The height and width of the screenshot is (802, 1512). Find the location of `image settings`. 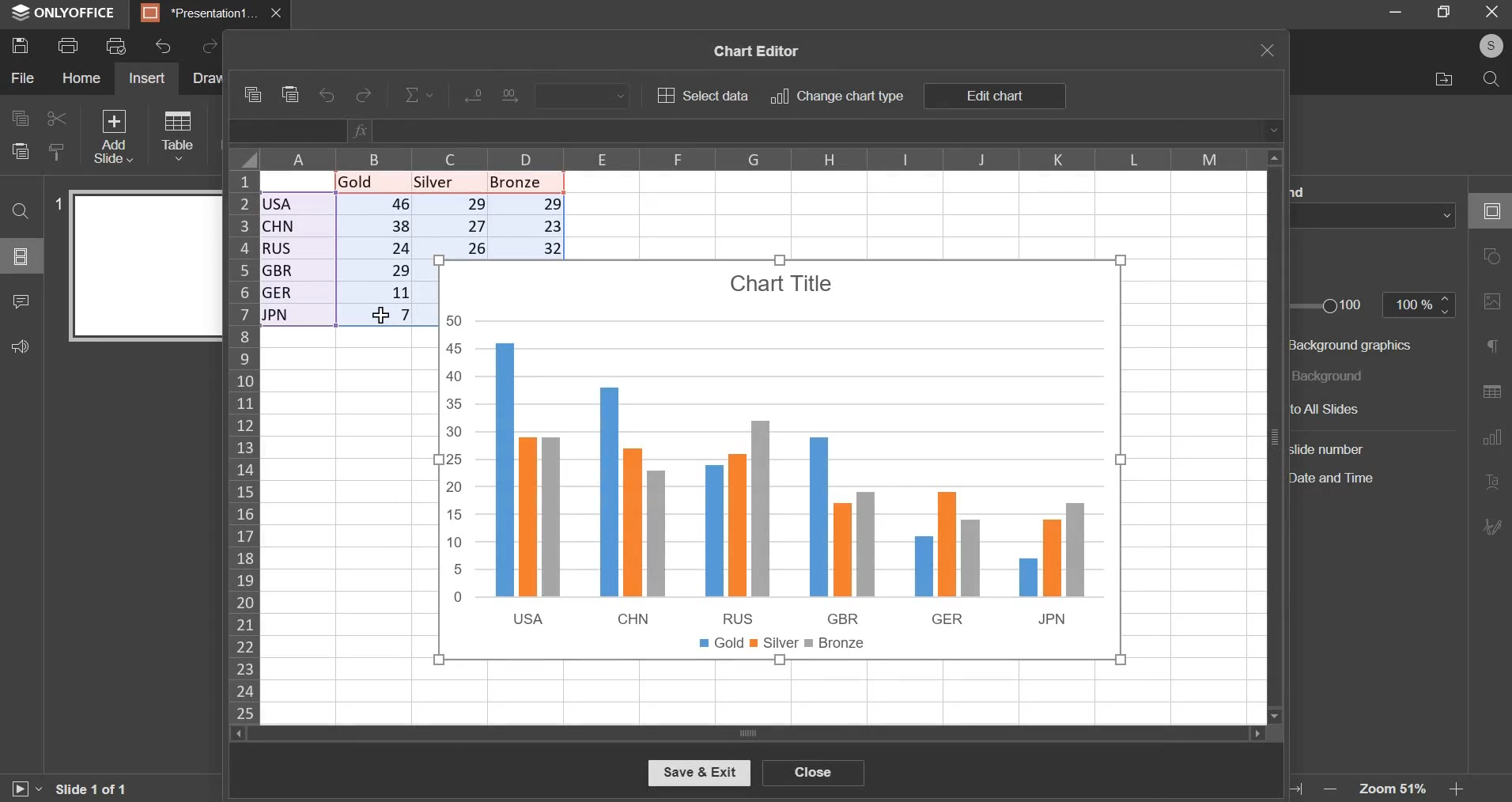

image settings is located at coordinates (1491, 305).